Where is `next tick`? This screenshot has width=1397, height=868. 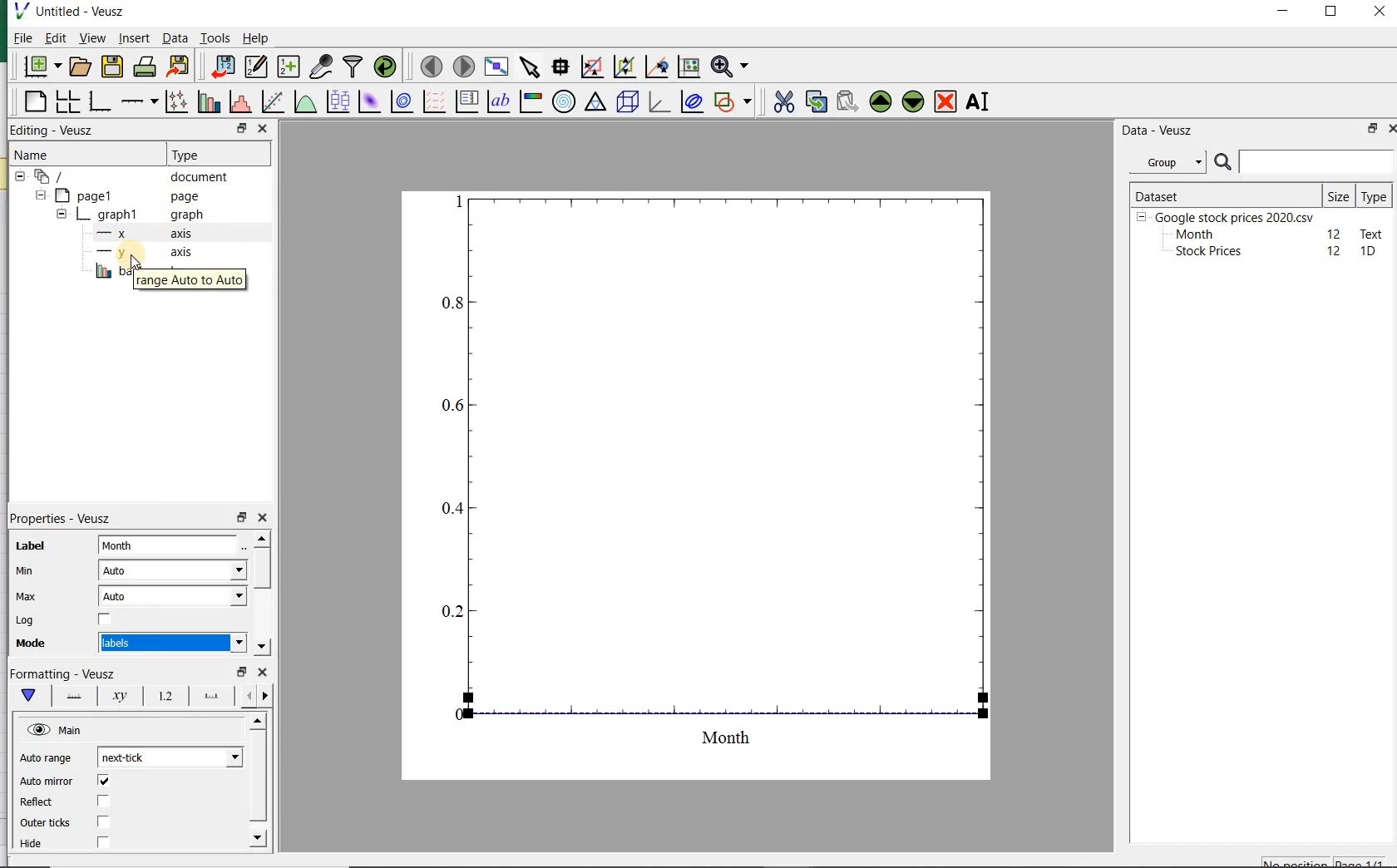 next tick is located at coordinates (167, 757).